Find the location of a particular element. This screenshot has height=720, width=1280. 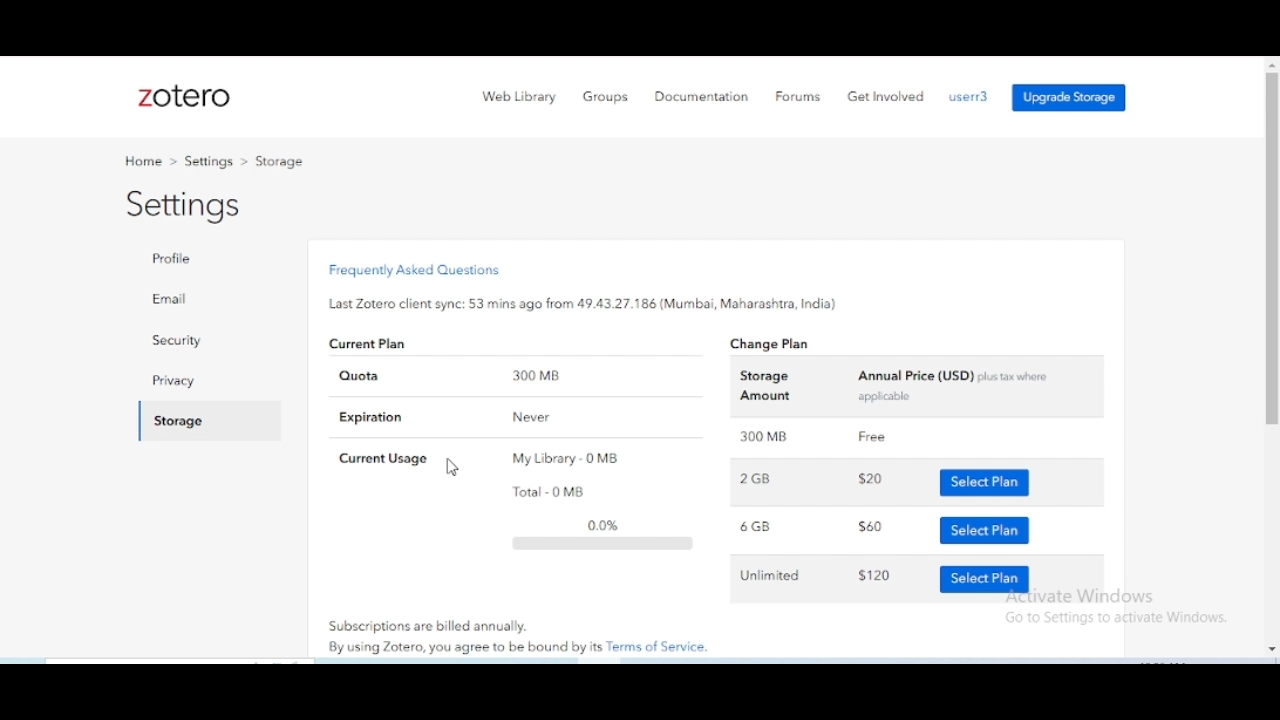

300 MB is located at coordinates (536, 374).